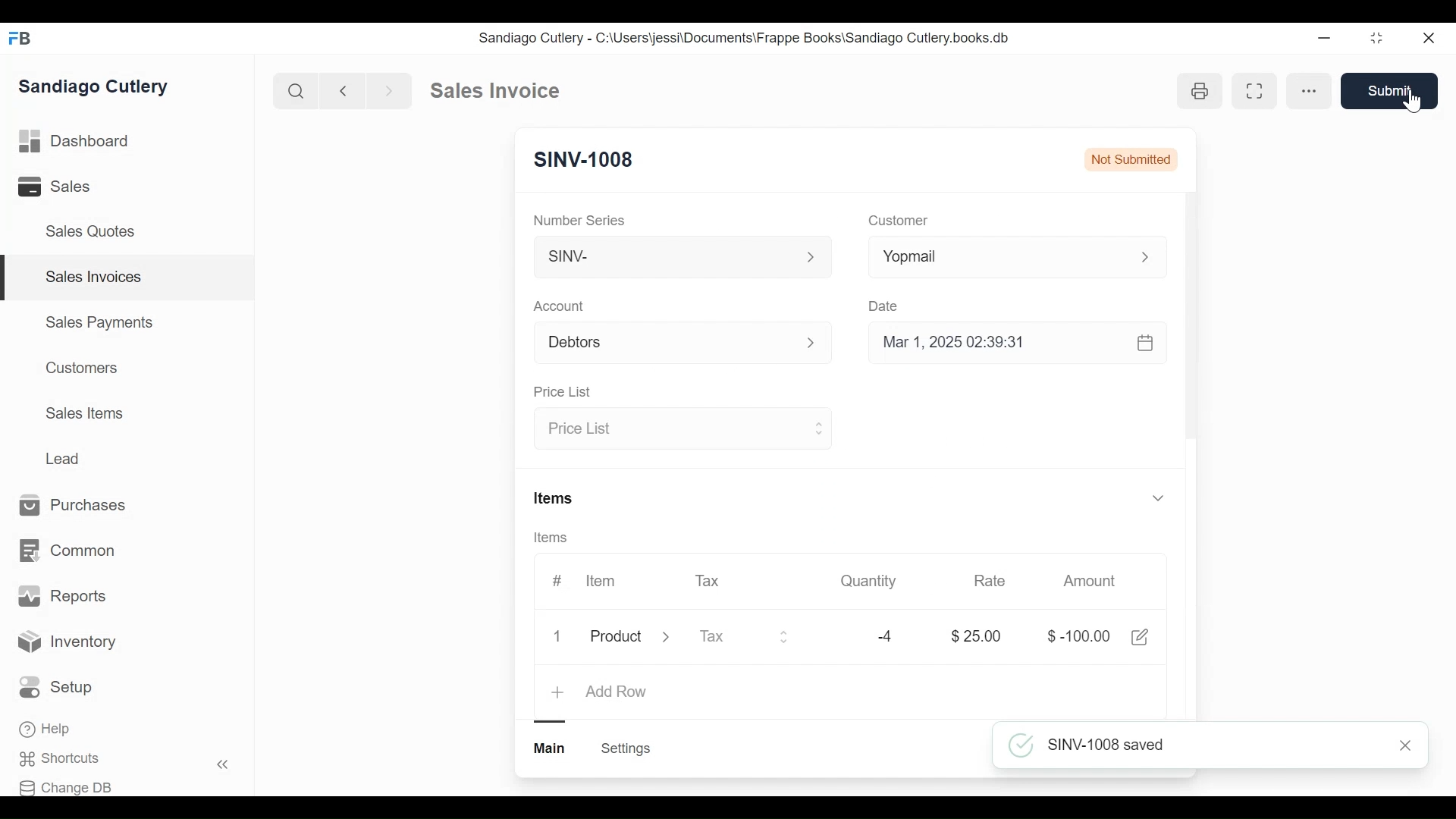 This screenshot has height=819, width=1456. I want to click on Sales Payments, so click(99, 322).